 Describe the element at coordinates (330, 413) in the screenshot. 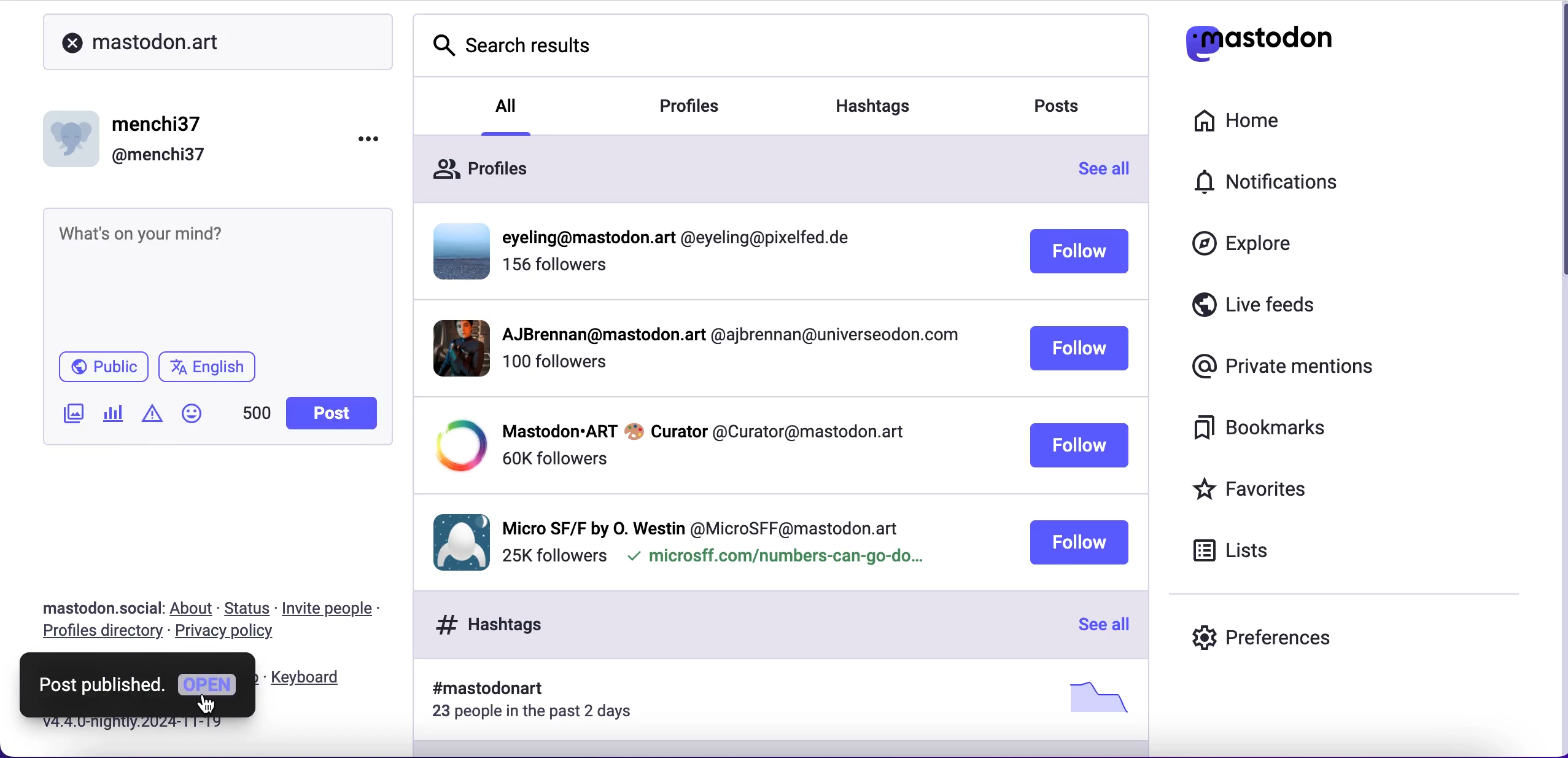

I see `post` at that location.